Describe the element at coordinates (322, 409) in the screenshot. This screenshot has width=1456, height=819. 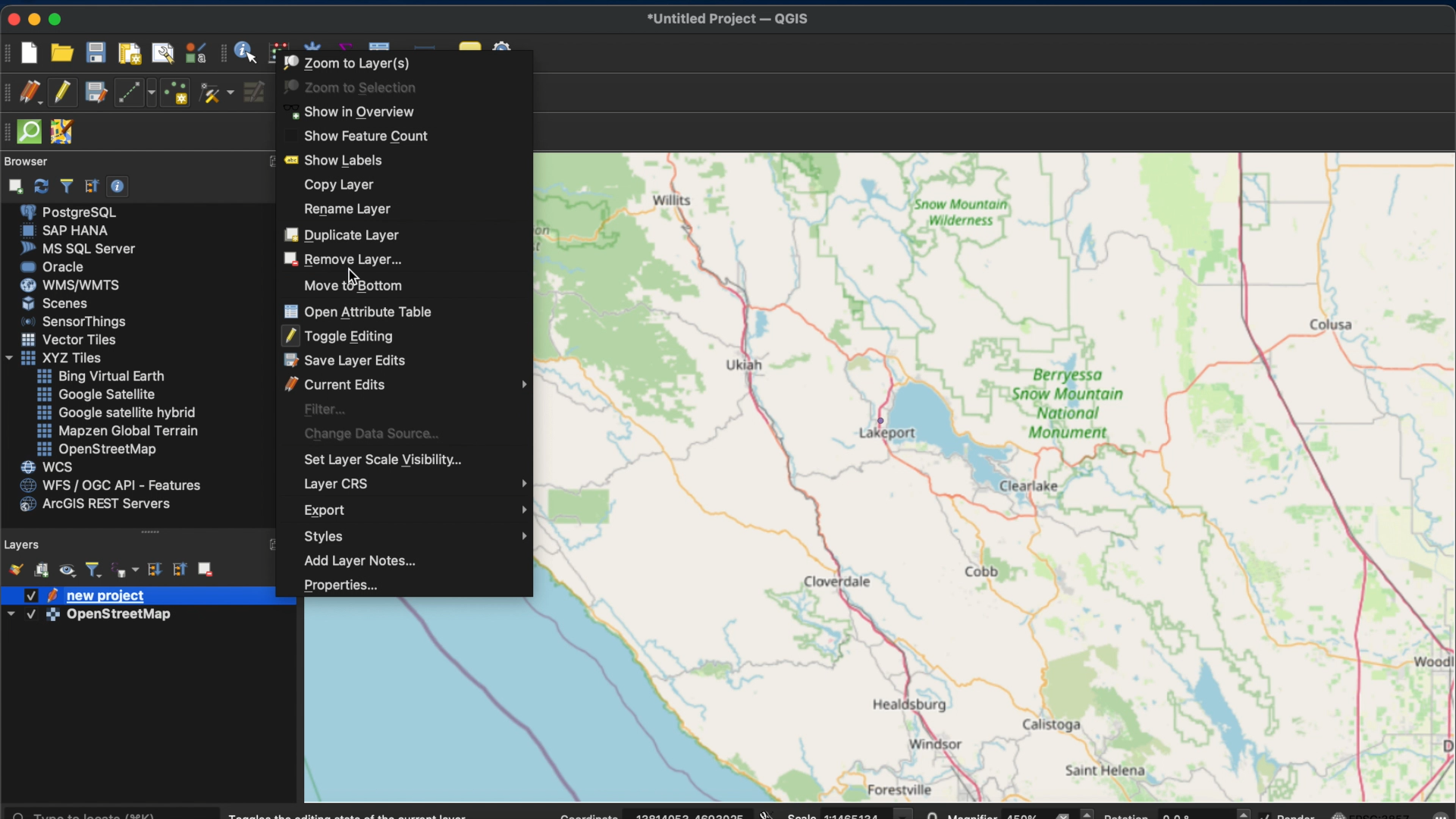
I see `filter` at that location.